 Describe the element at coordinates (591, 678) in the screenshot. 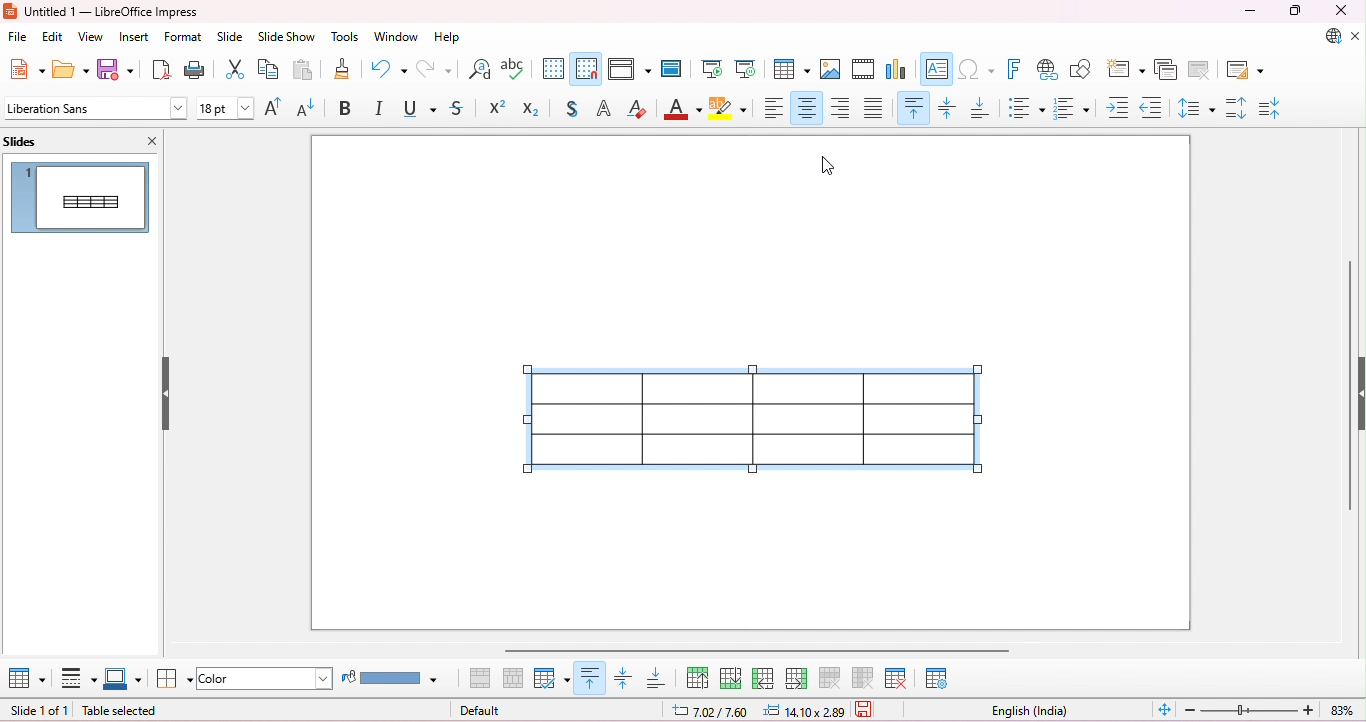

I see `align top` at that location.